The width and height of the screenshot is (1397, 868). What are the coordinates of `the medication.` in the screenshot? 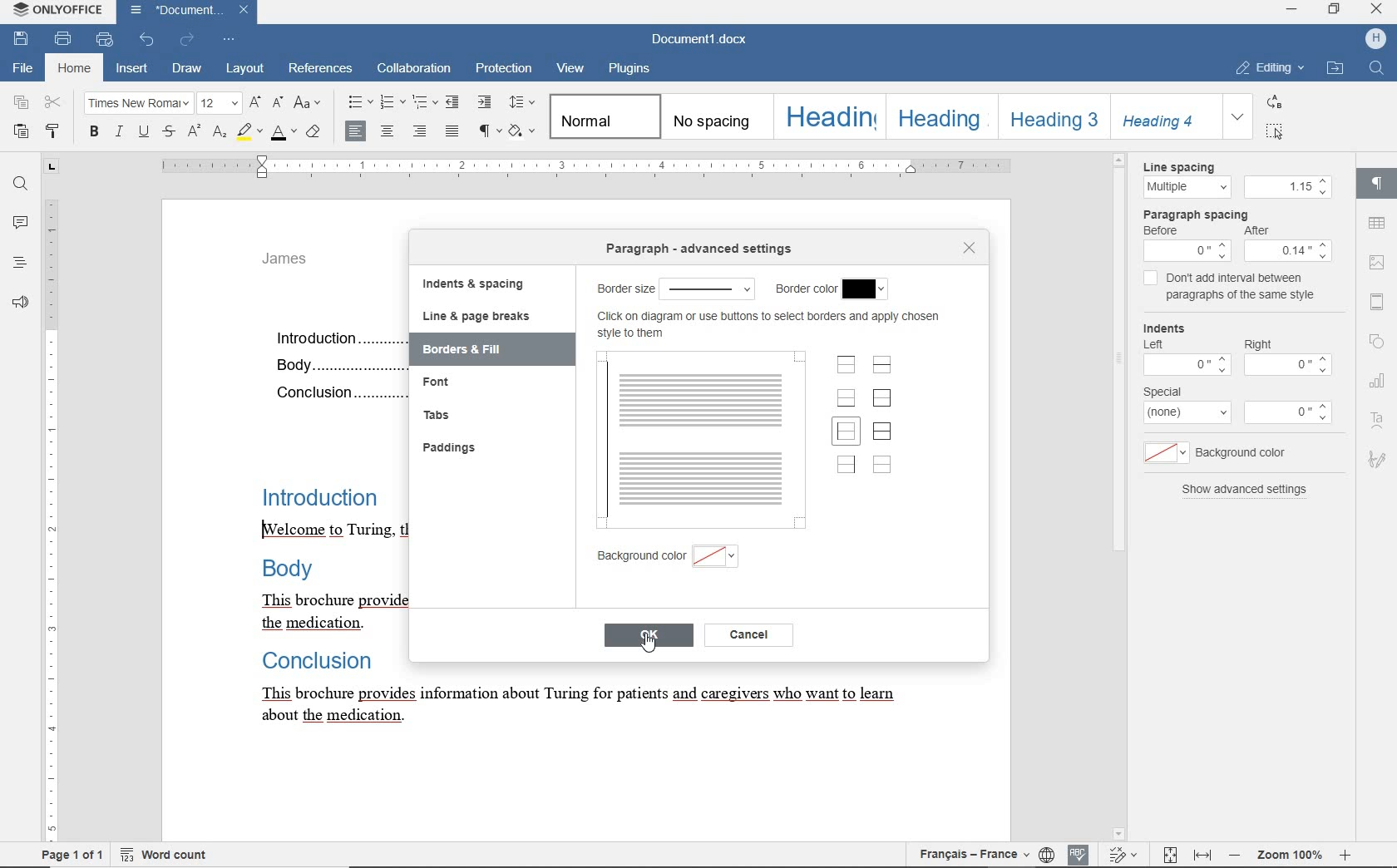 It's located at (305, 624).